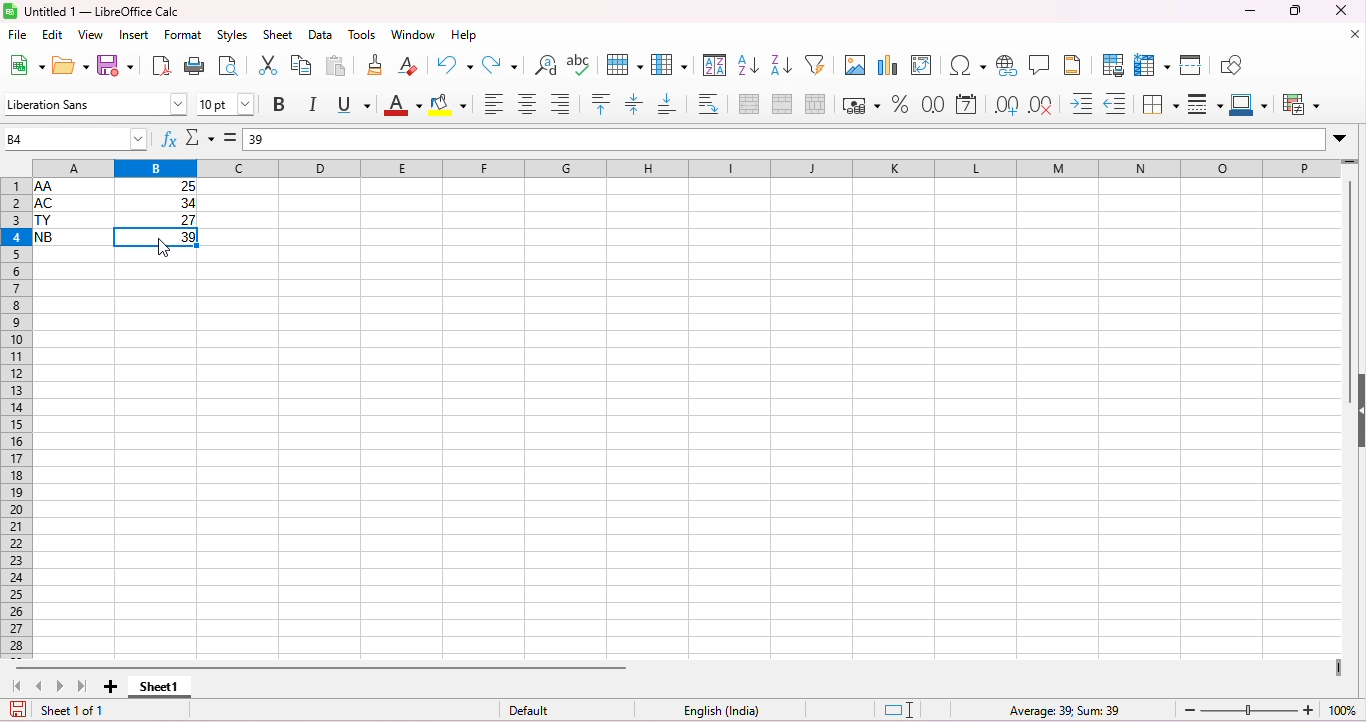 This screenshot has height=722, width=1366. What do you see at coordinates (1251, 104) in the screenshot?
I see `border color` at bounding box center [1251, 104].